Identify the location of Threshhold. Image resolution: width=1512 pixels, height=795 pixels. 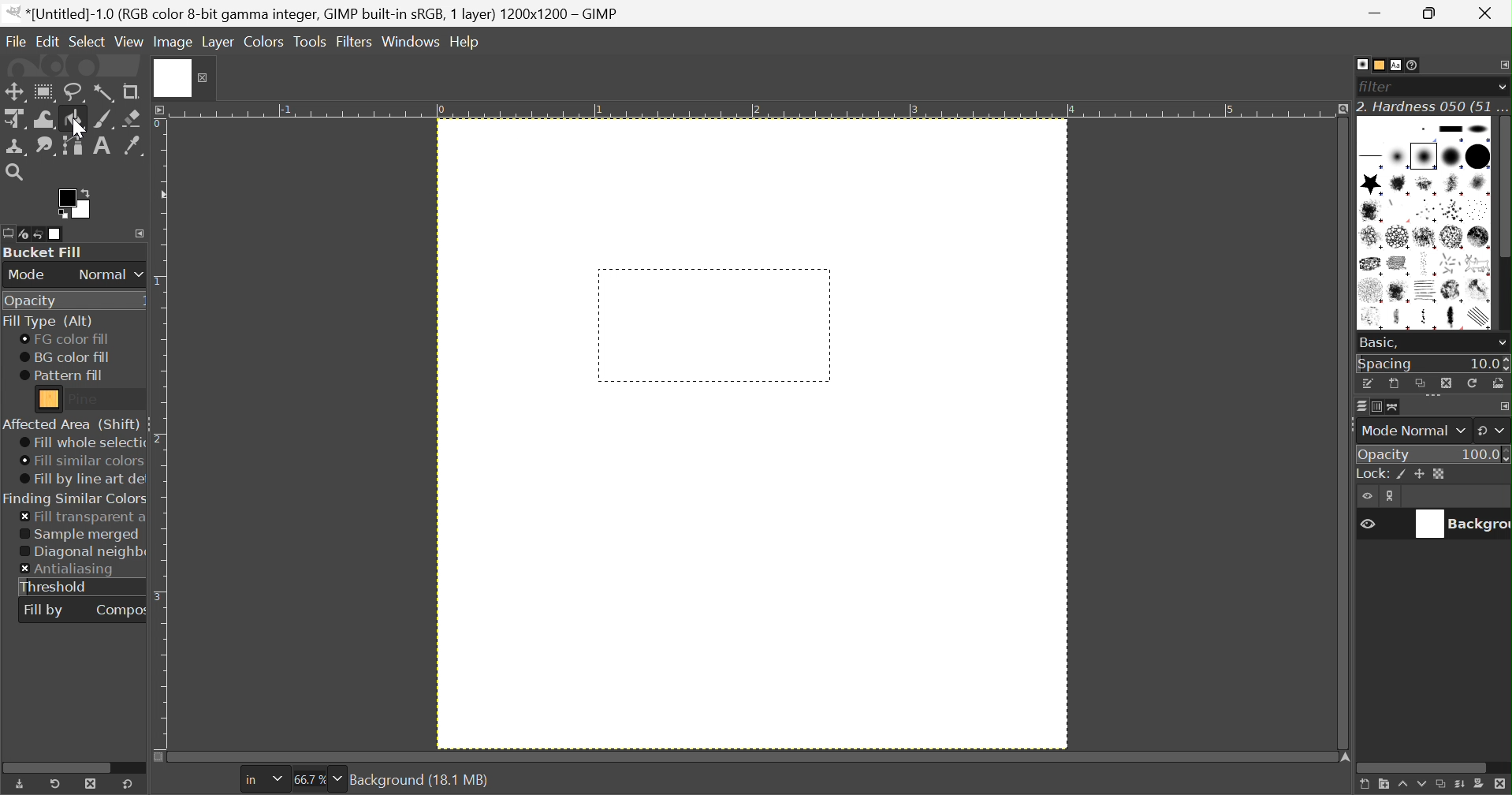
(54, 587).